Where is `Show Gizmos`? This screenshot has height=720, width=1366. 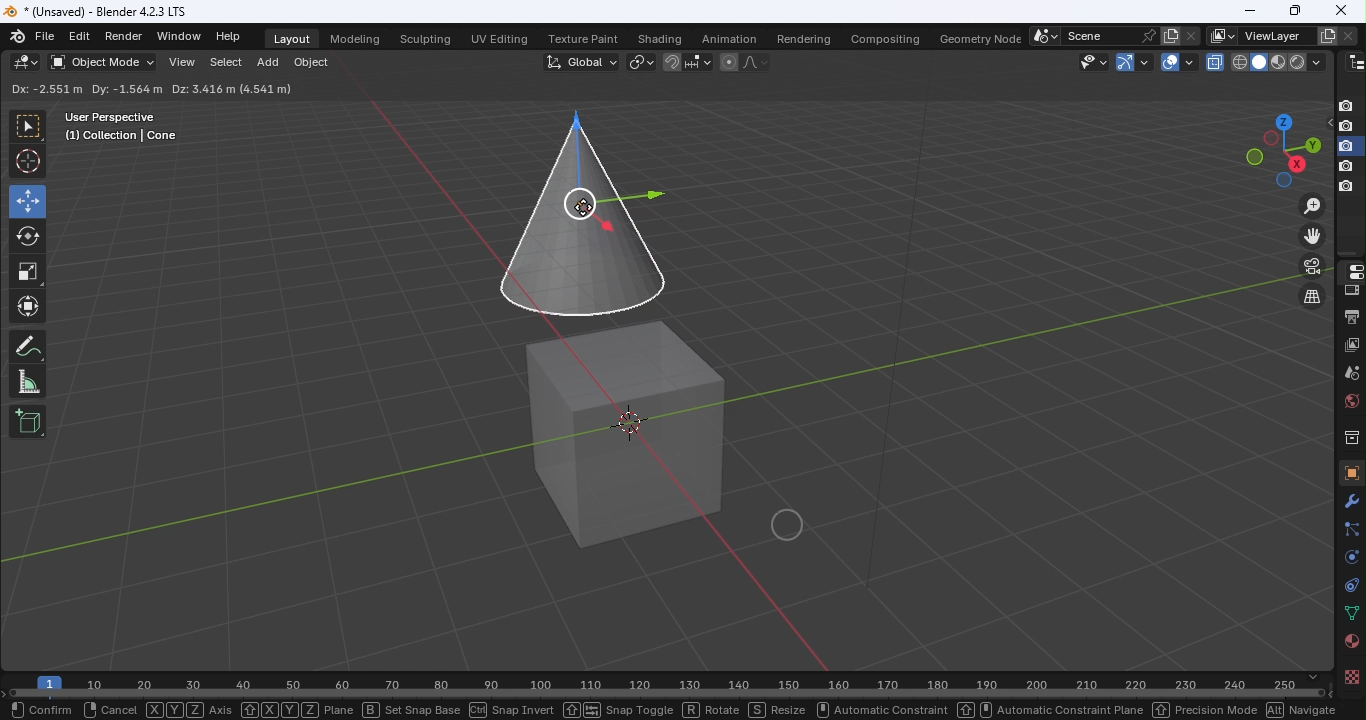
Show Gizmos is located at coordinates (1145, 61).